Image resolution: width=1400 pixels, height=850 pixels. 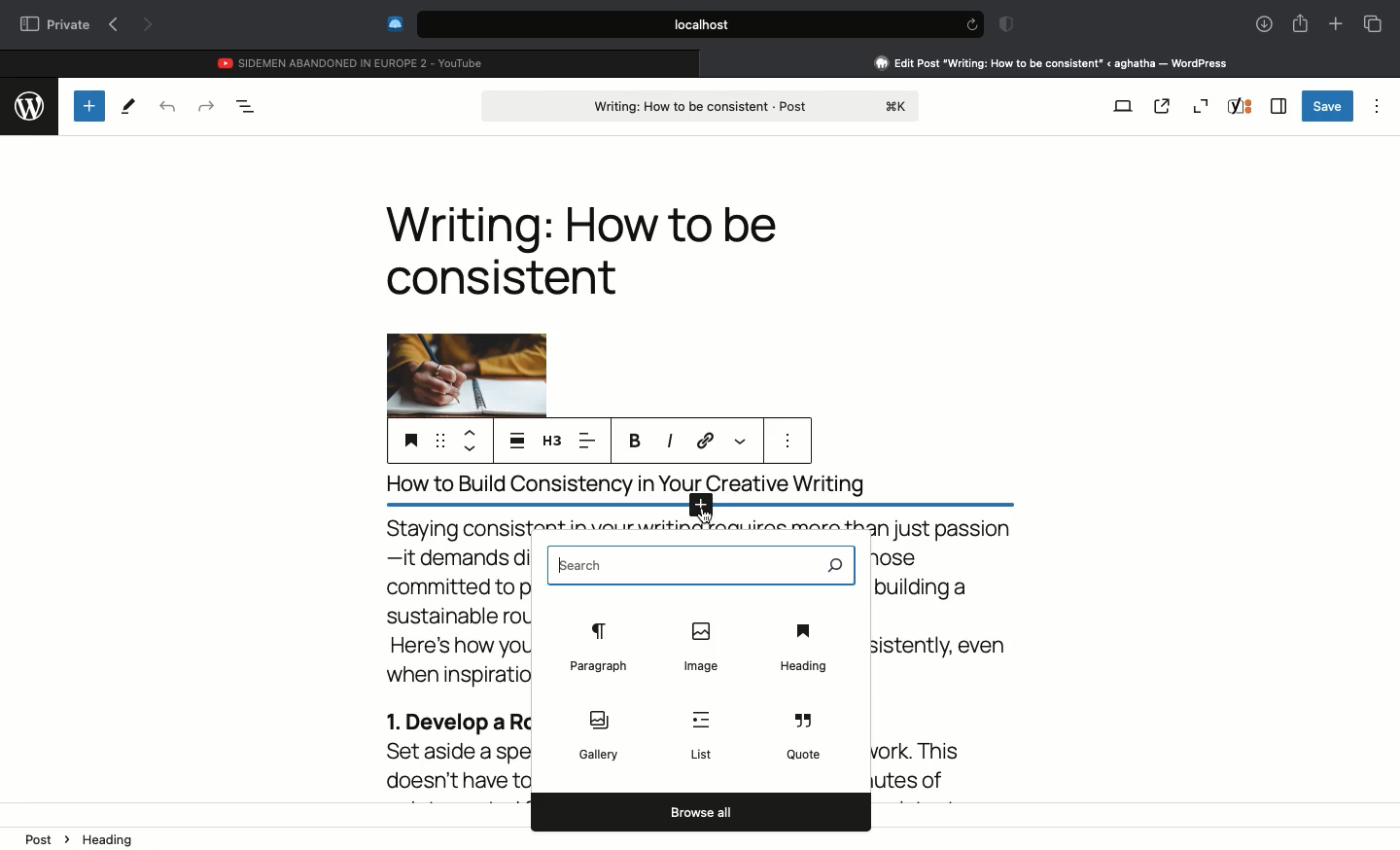 What do you see at coordinates (597, 647) in the screenshot?
I see `Paragraph` at bounding box center [597, 647].